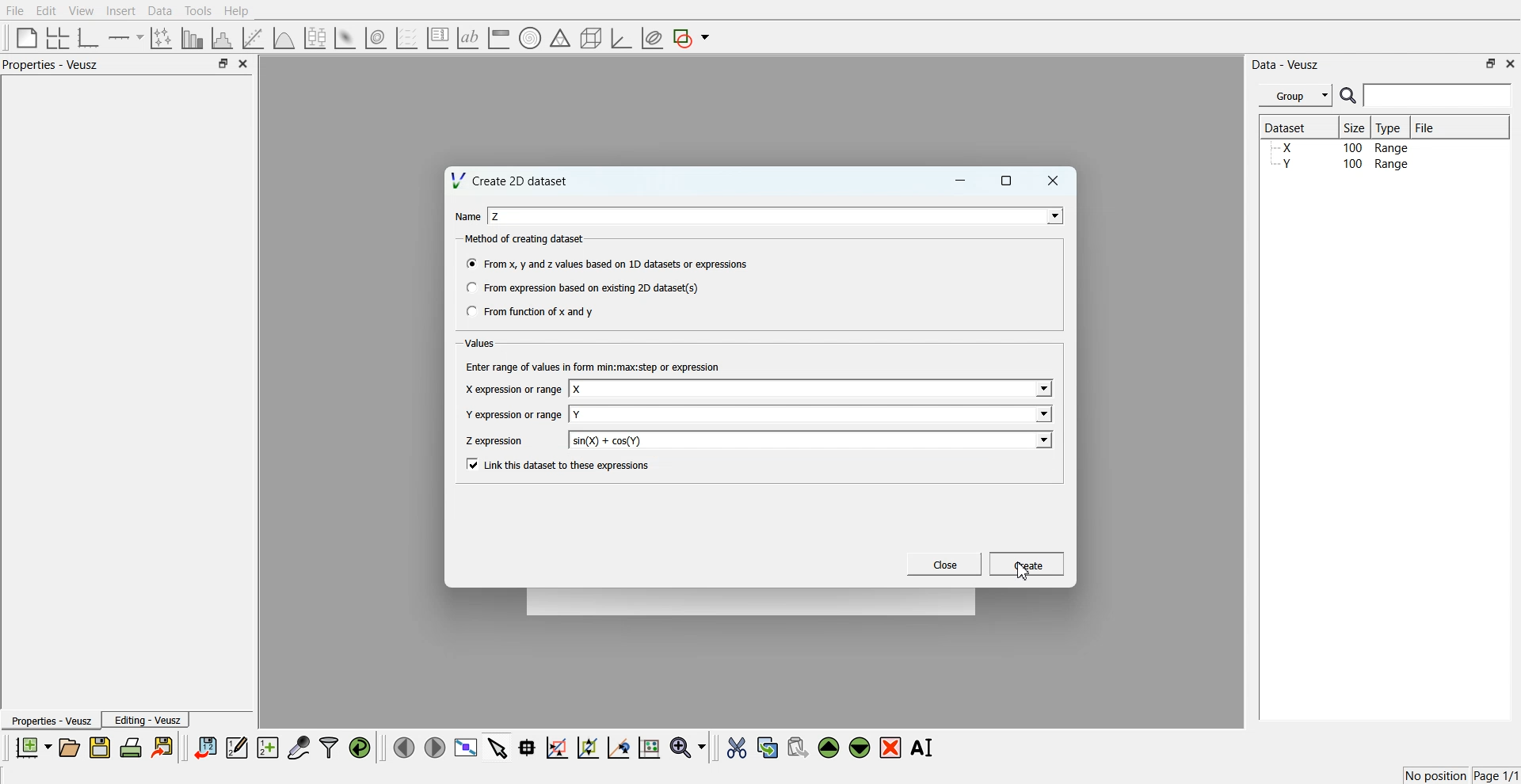  What do you see at coordinates (1054, 181) in the screenshot?
I see `Close` at bounding box center [1054, 181].